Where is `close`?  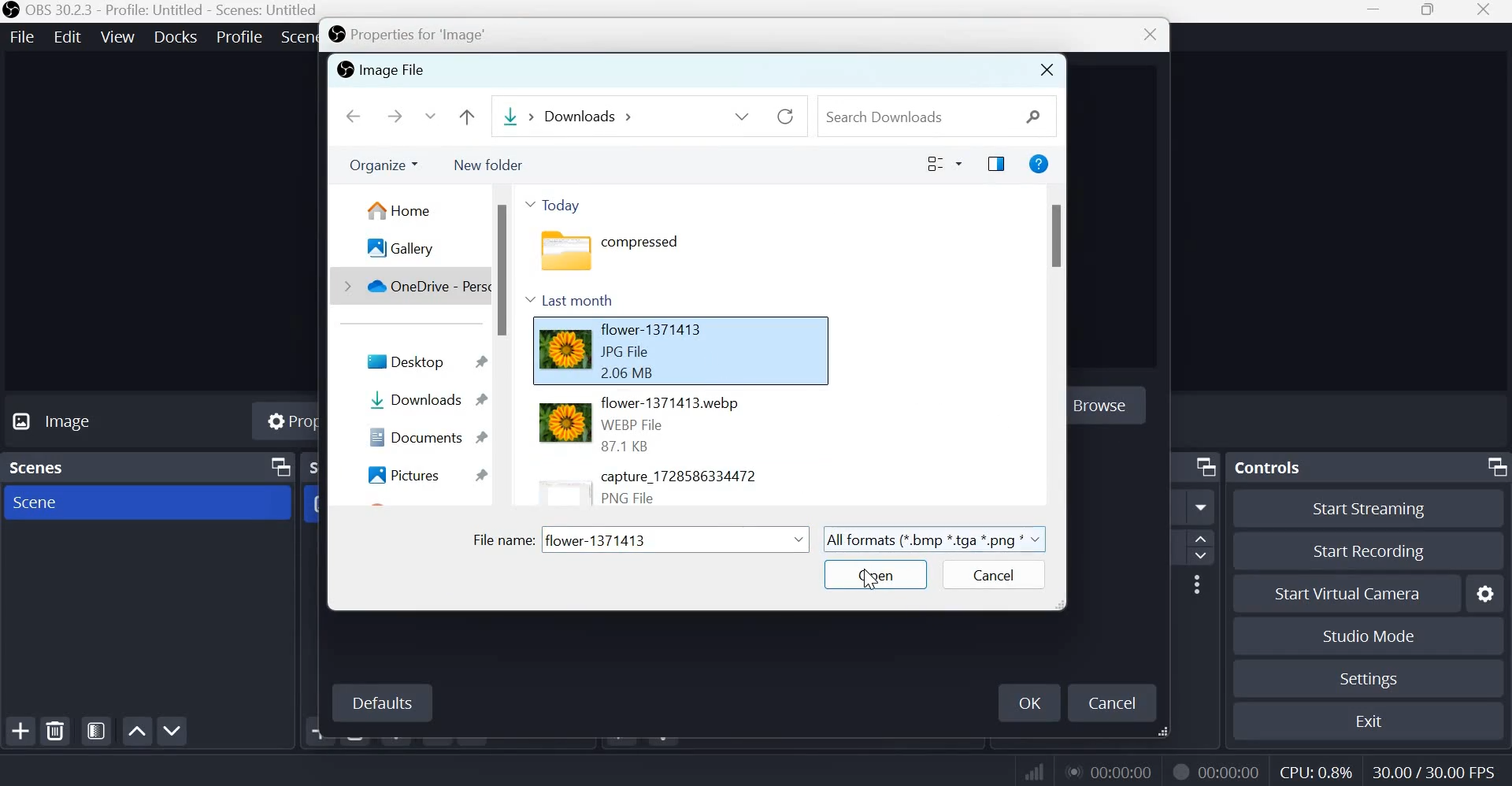 close is located at coordinates (1488, 13).